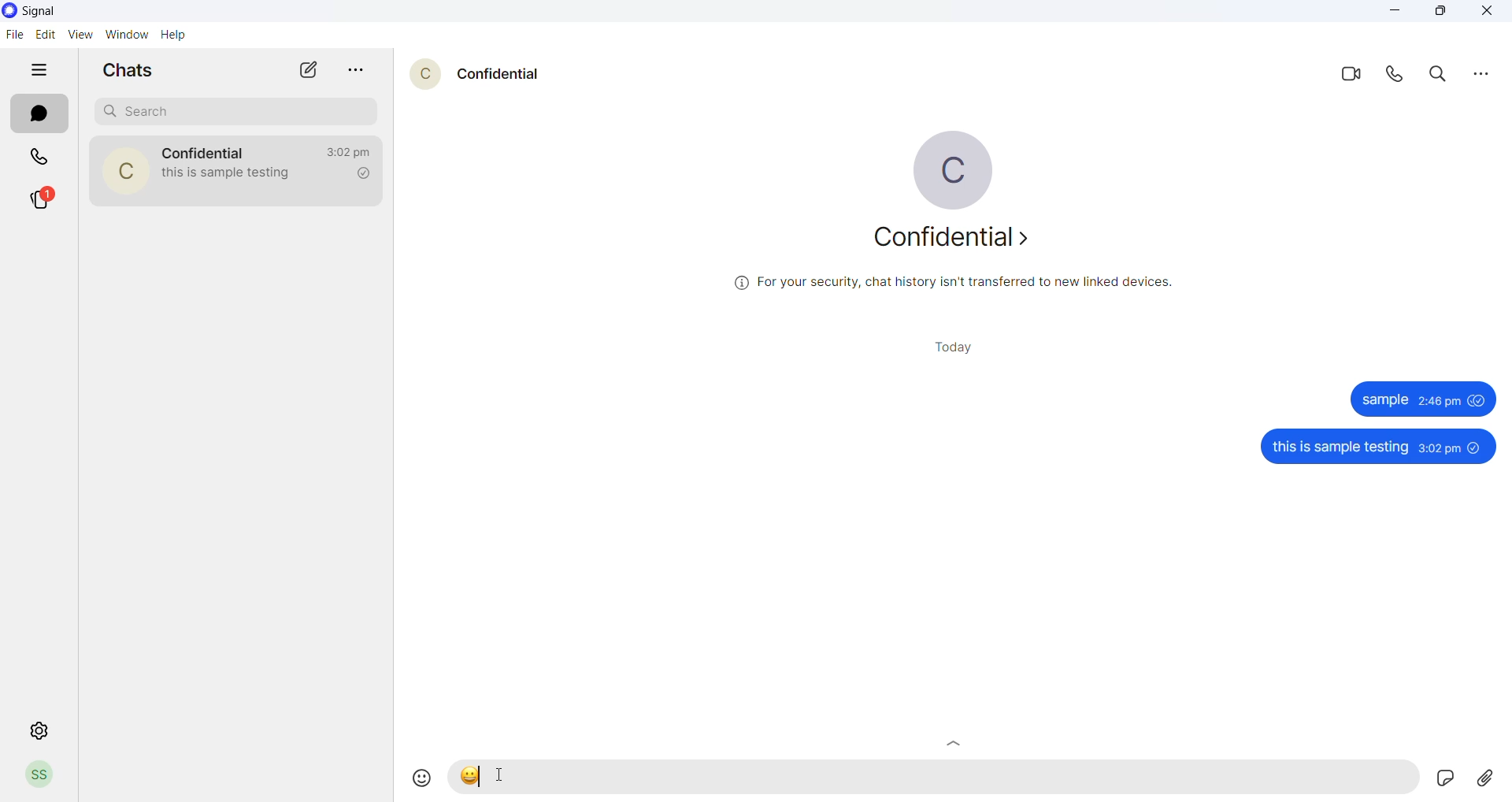  I want to click on new message, so click(311, 69).